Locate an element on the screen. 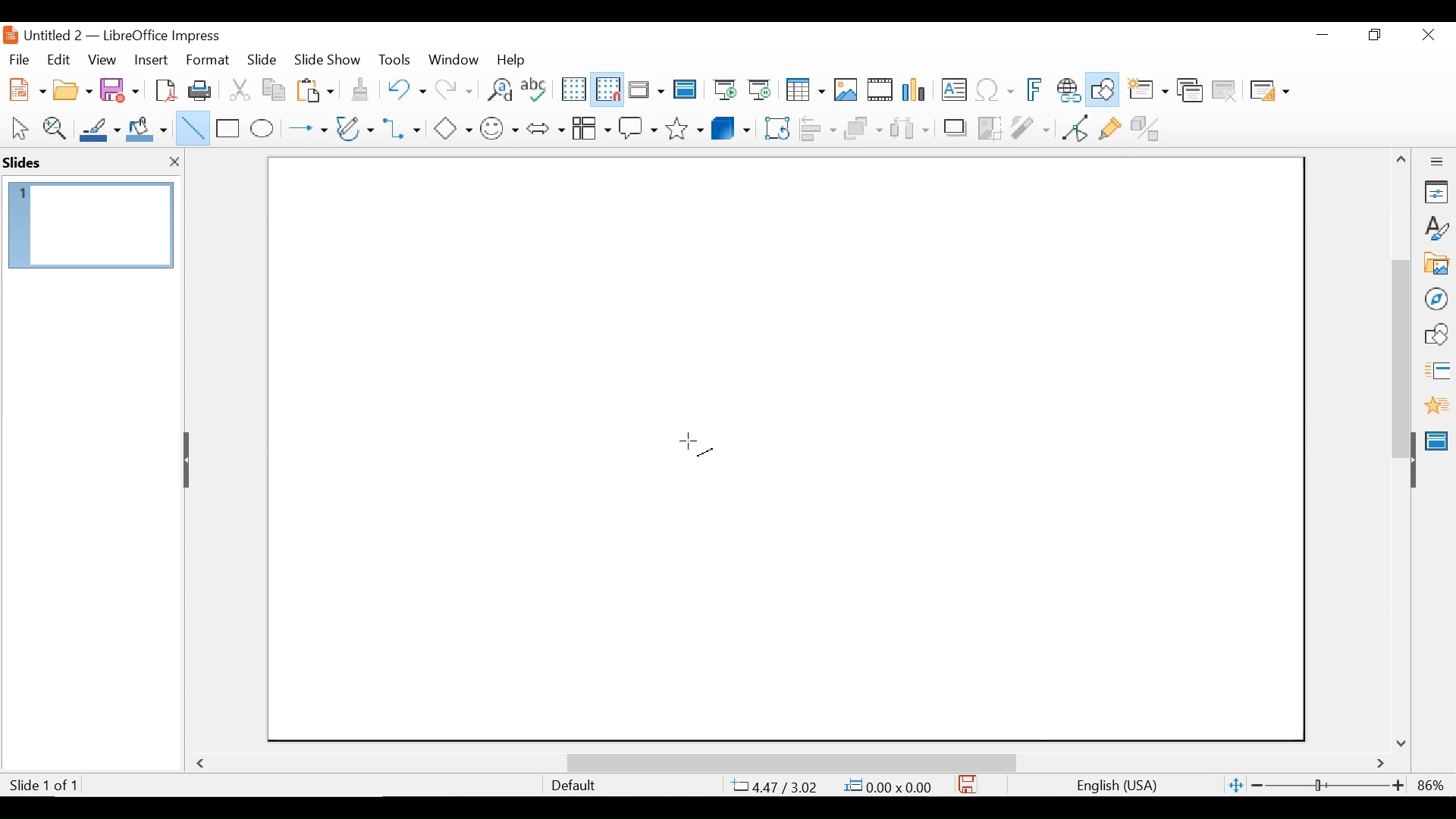 The height and width of the screenshot is (819, 1456). Basic Shapes is located at coordinates (452, 127).